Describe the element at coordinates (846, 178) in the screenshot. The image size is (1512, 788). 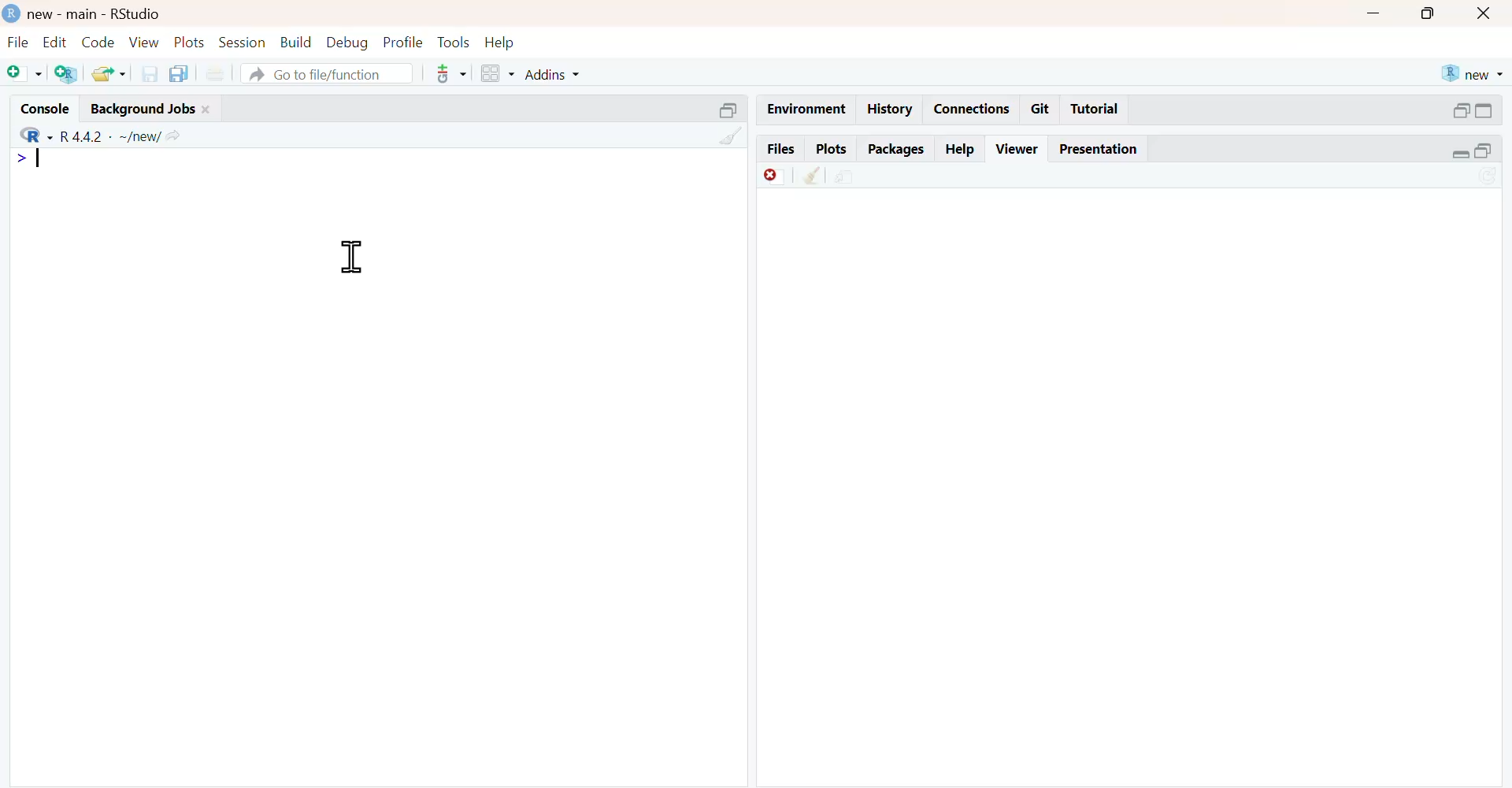
I see `share` at that location.